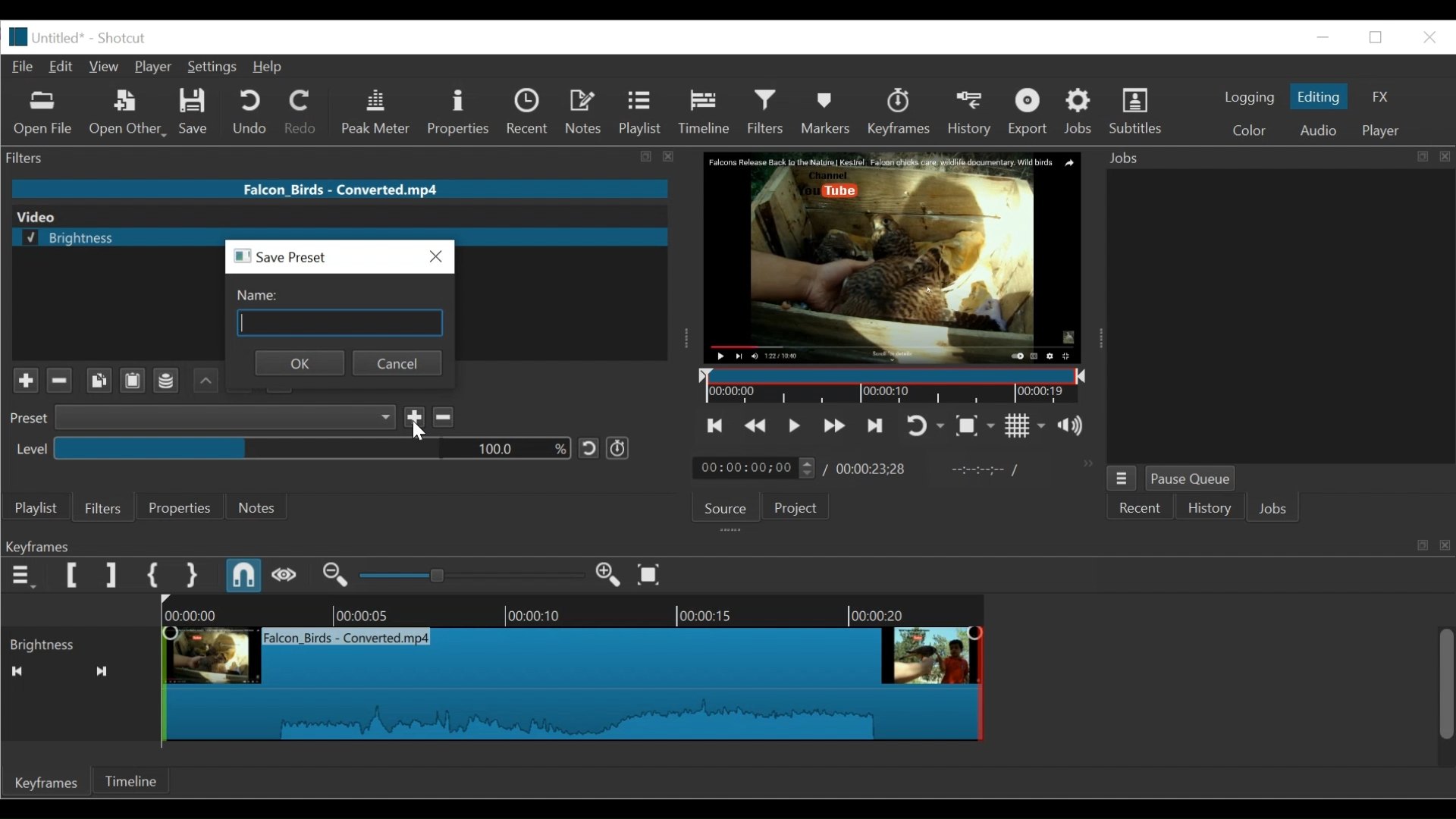  I want to click on cancel, so click(398, 363).